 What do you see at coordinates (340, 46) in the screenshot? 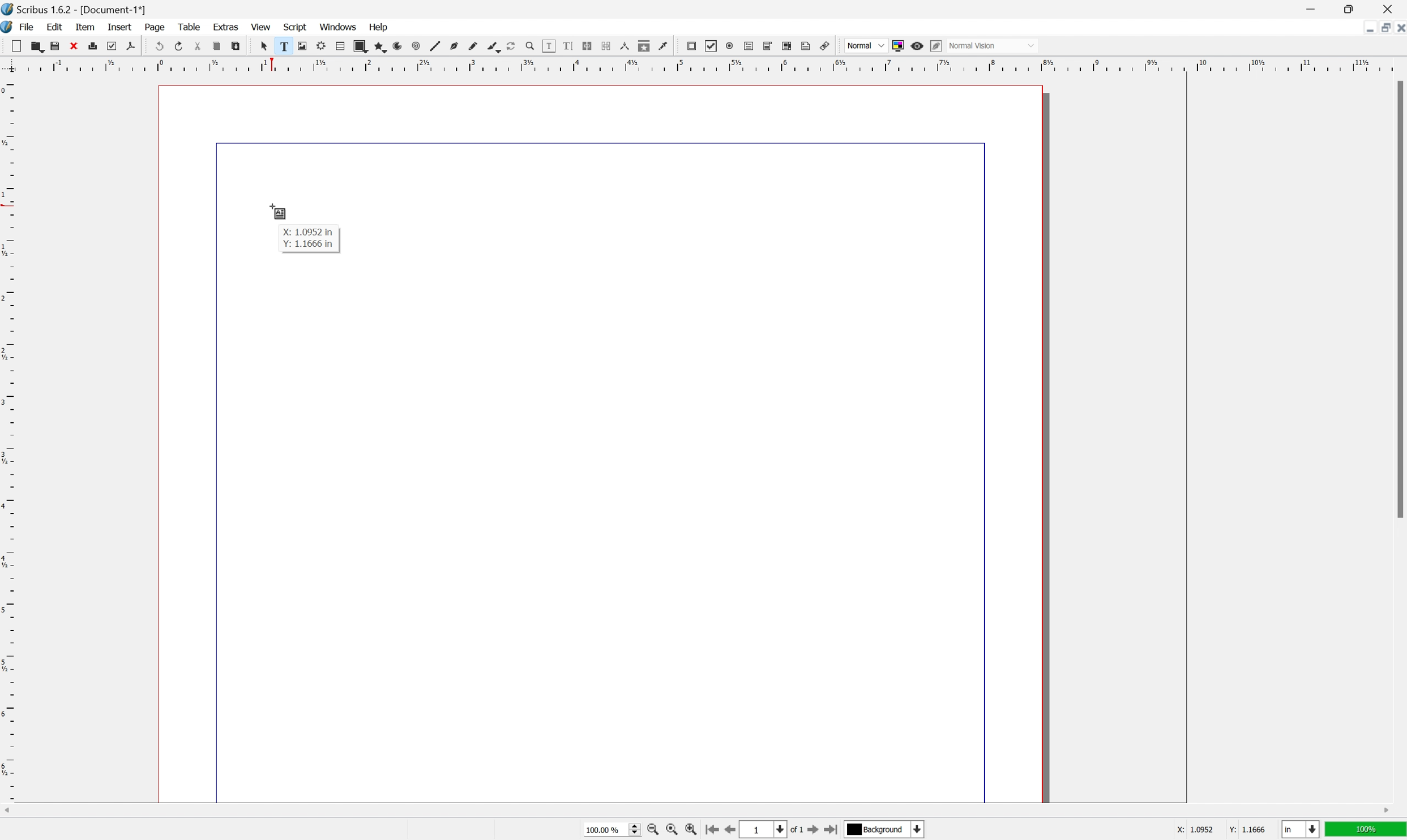
I see `table` at bounding box center [340, 46].